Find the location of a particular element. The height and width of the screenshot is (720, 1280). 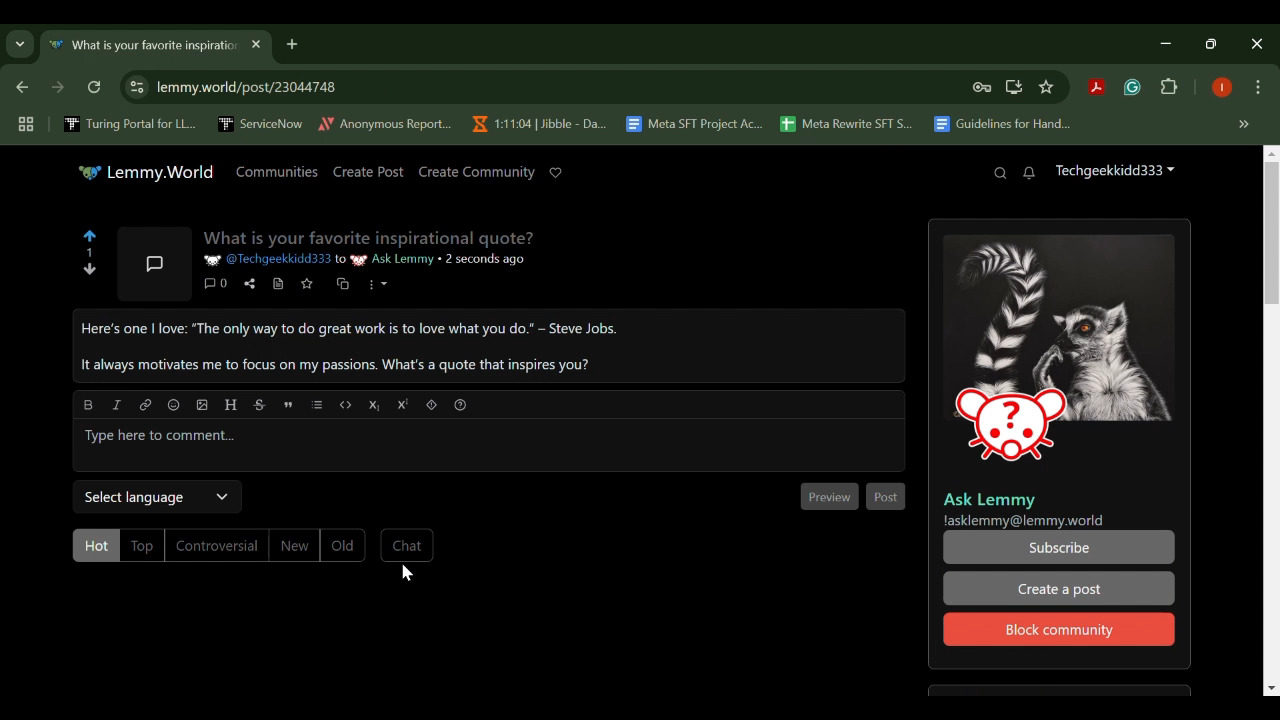

italic is located at coordinates (115, 404).